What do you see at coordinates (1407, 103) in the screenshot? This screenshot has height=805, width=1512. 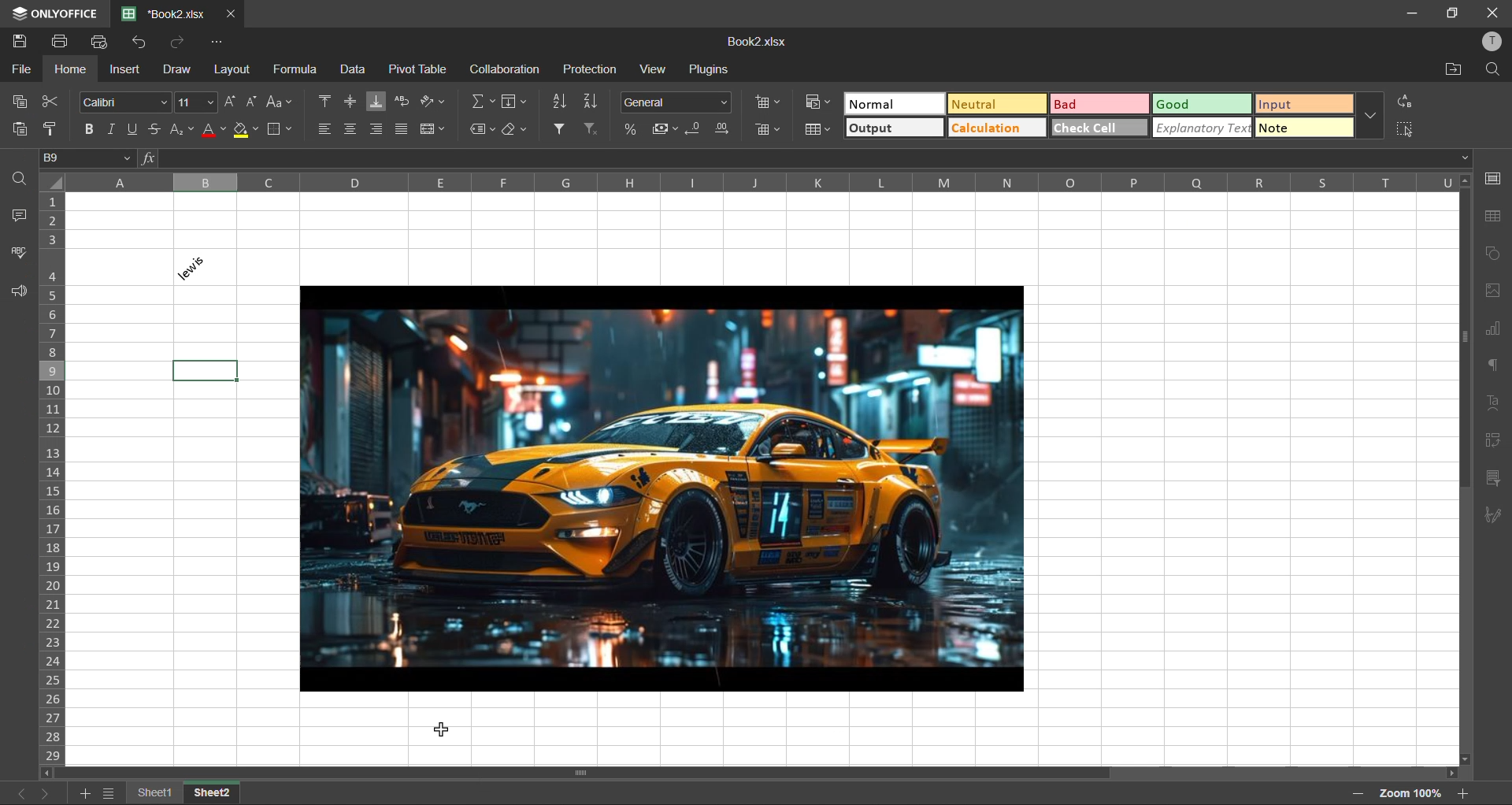 I see `replace` at bounding box center [1407, 103].